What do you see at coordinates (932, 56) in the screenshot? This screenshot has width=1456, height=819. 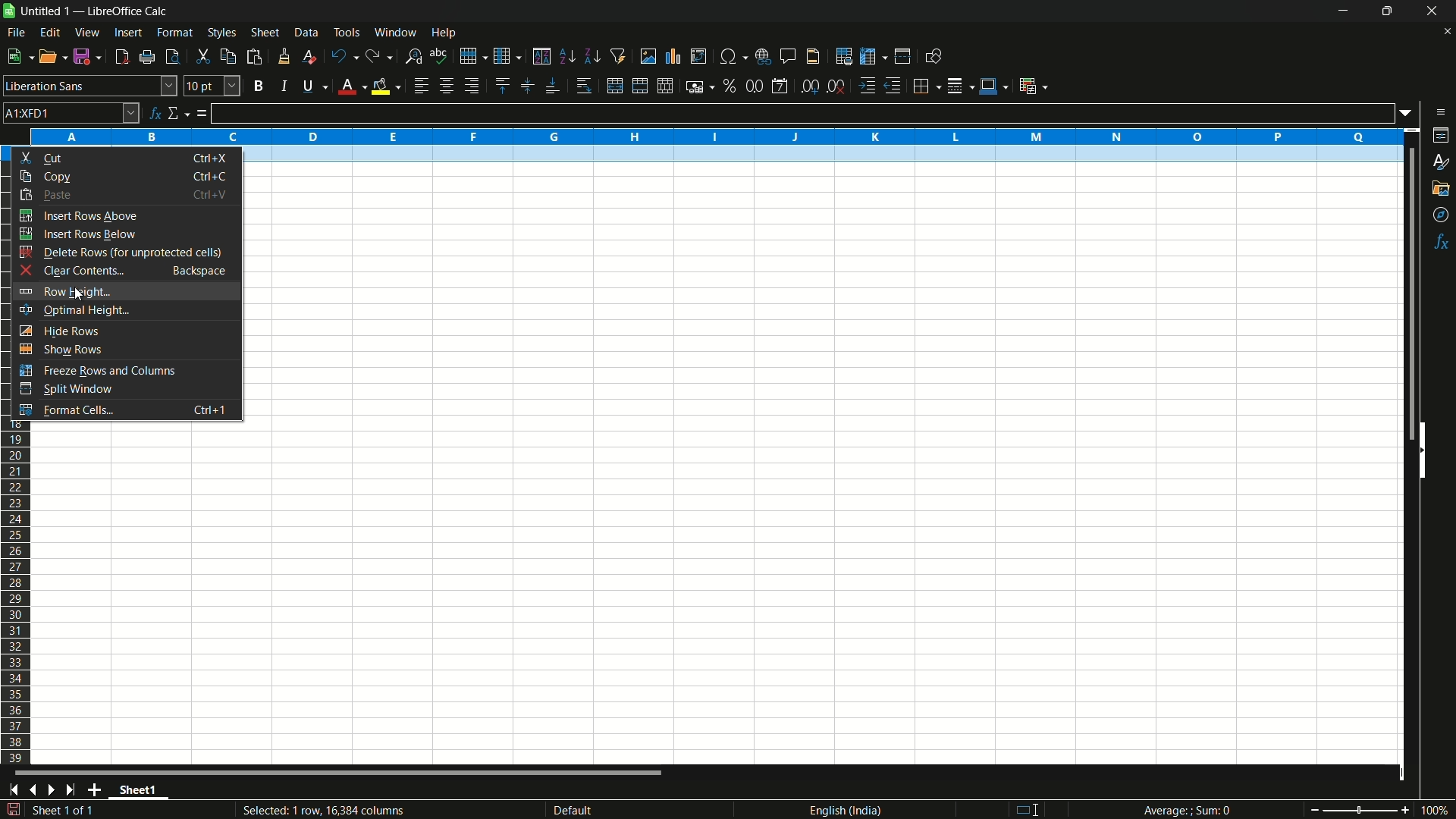 I see `show draw functions` at bounding box center [932, 56].